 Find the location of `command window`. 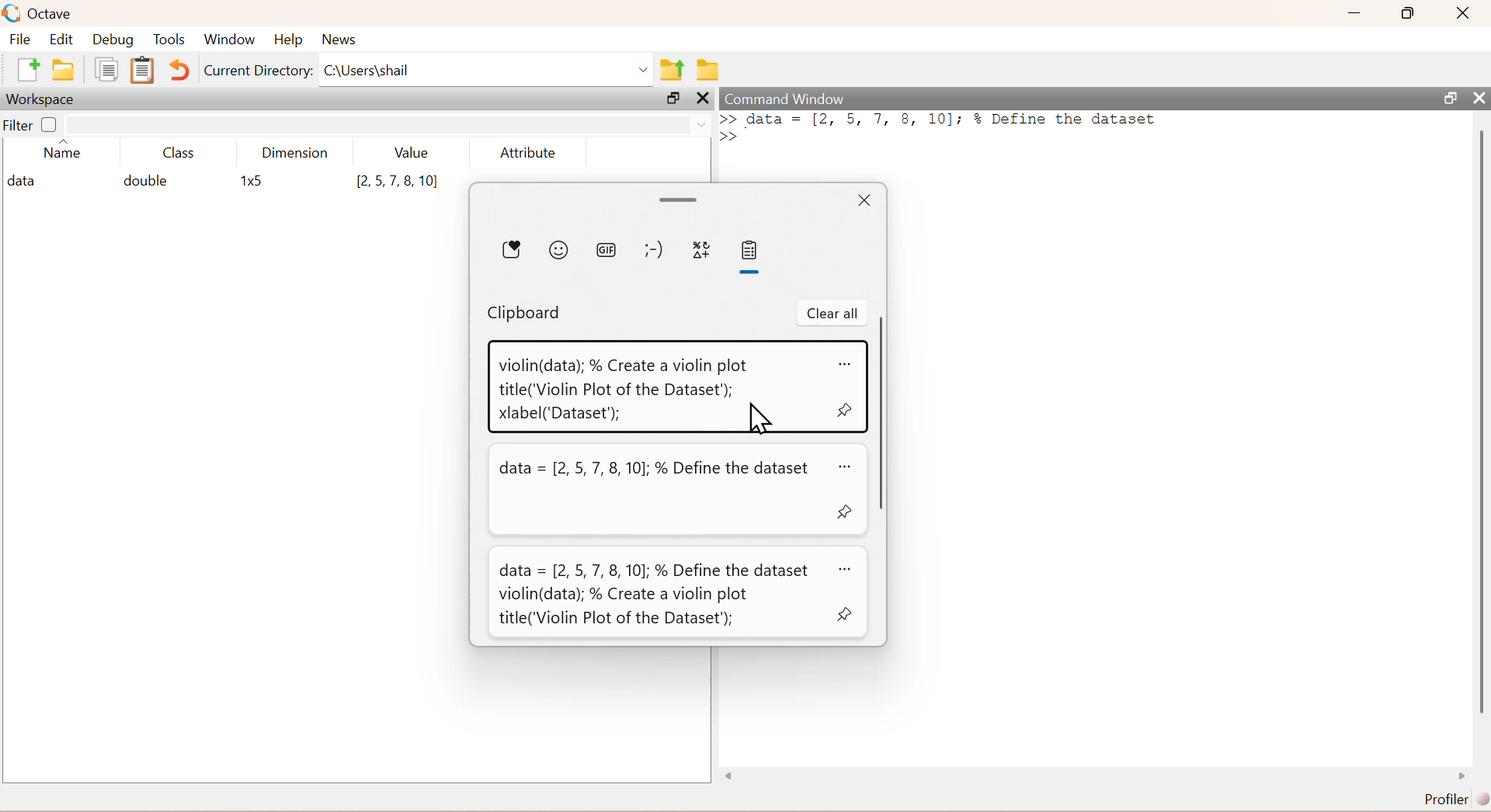

command window is located at coordinates (787, 99).